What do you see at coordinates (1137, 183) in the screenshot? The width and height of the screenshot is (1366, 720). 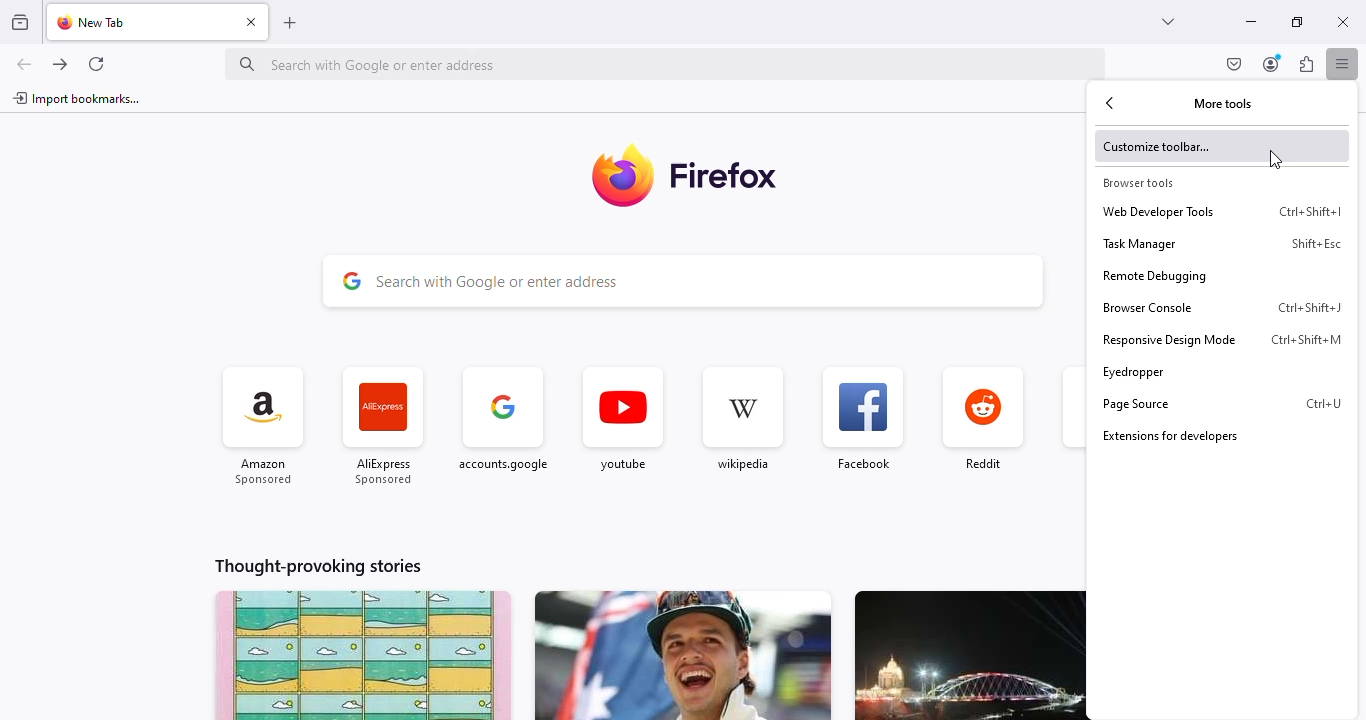 I see `browser tools` at bounding box center [1137, 183].